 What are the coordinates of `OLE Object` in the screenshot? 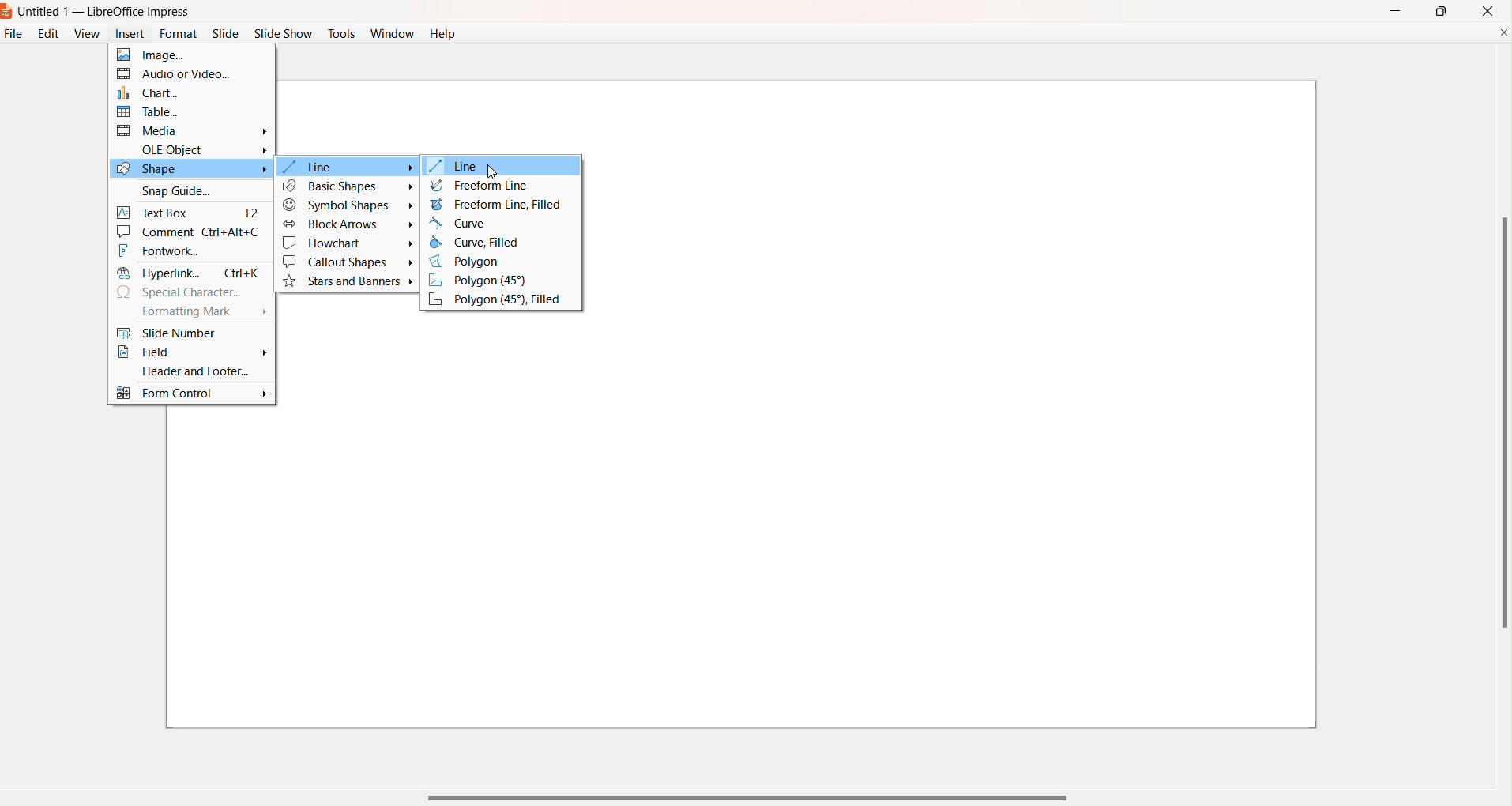 It's located at (203, 148).